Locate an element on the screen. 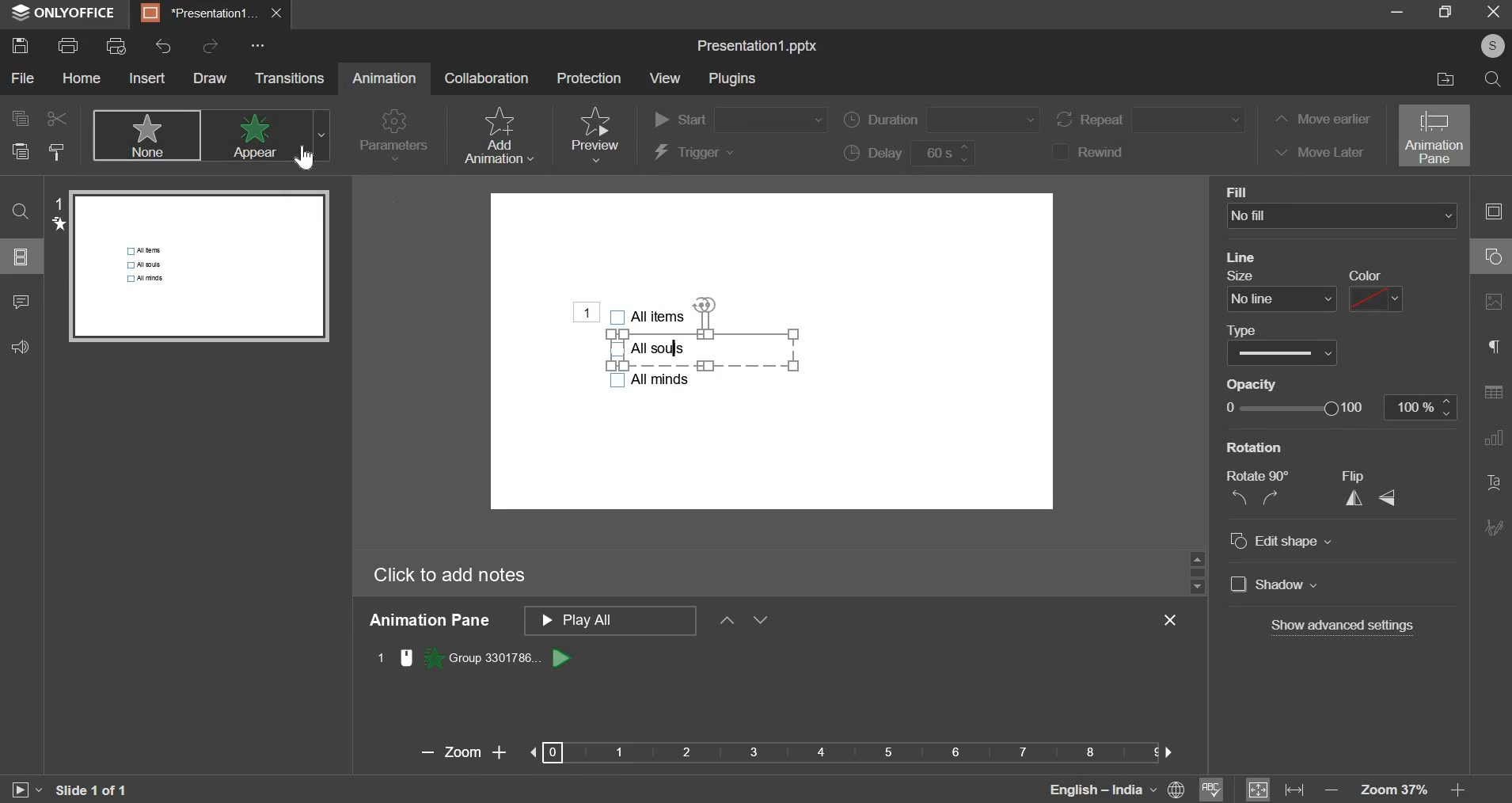 The width and height of the screenshot is (1512, 803). search is located at coordinates (1492, 78).